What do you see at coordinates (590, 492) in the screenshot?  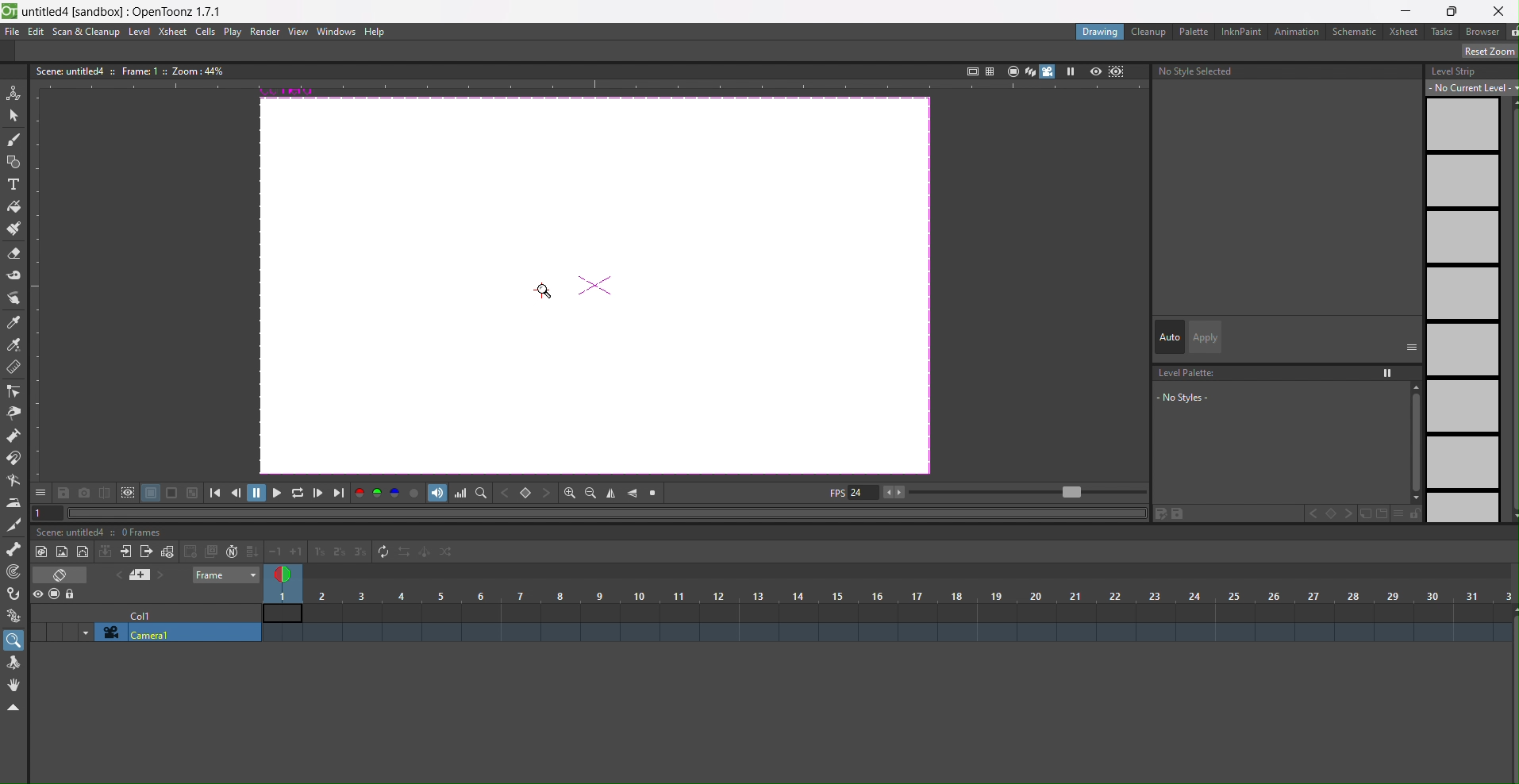 I see `zoom out` at bounding box center [590, 492].